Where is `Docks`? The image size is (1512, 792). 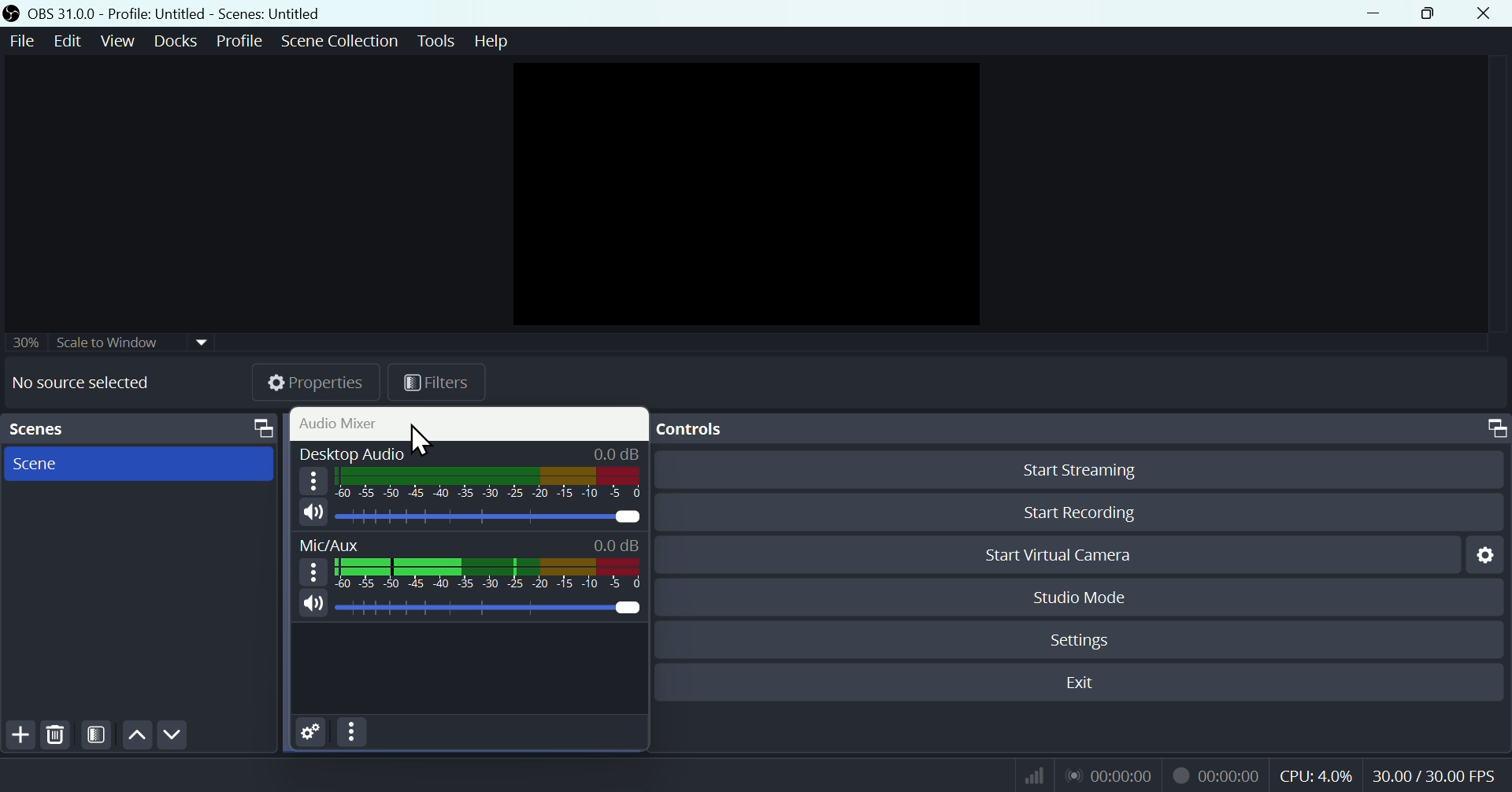 Docks is located at coordinates (174, 40).